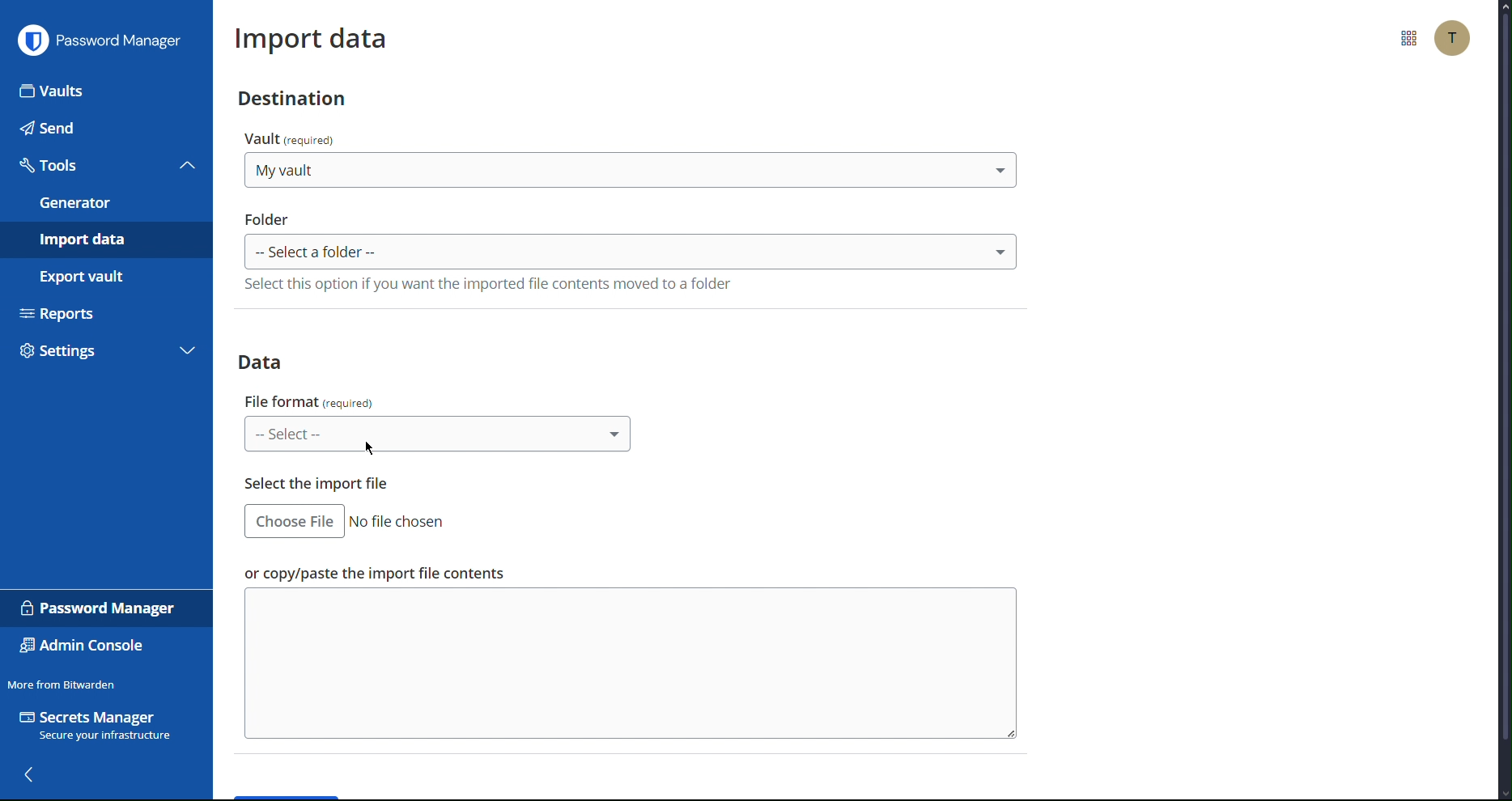 This screenshot has height=801, width=1512. Describe the element at coordinates (312, 35) in the screenshot. I see `Import data` at that location.